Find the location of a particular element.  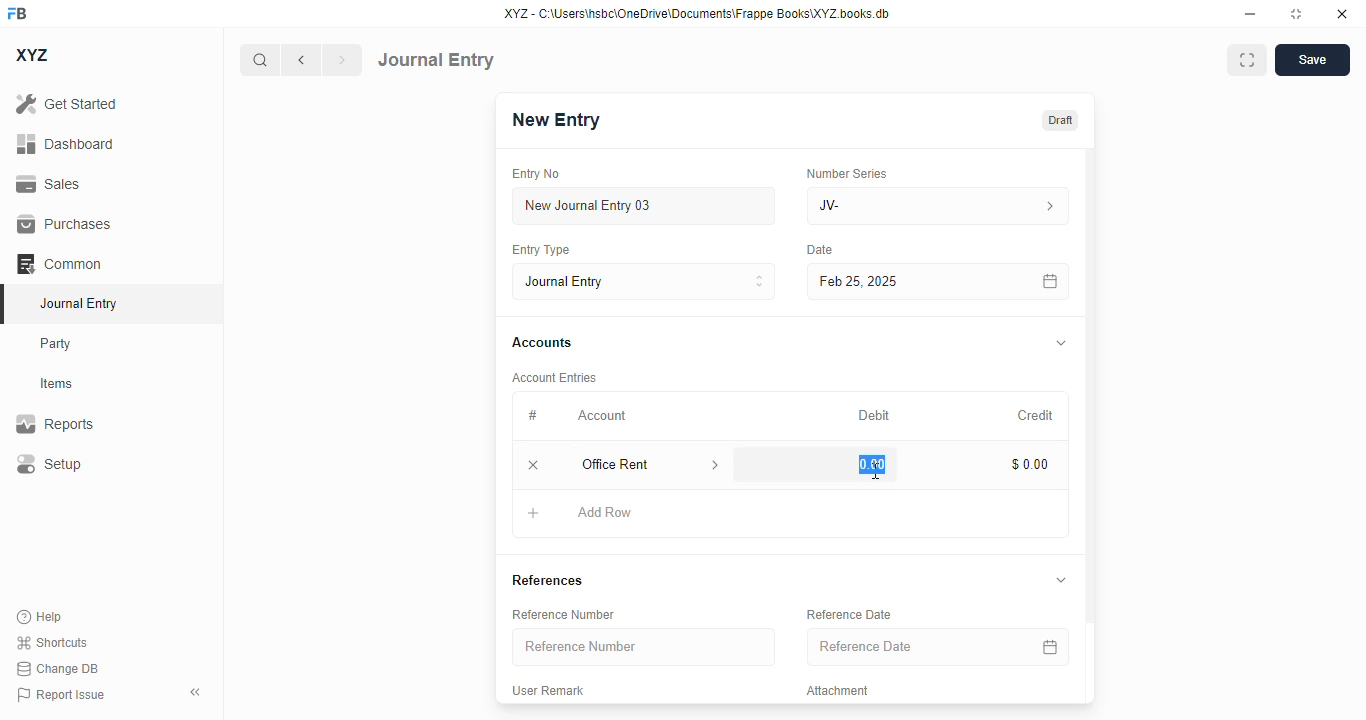

save is located at coordinates (1313, 60).